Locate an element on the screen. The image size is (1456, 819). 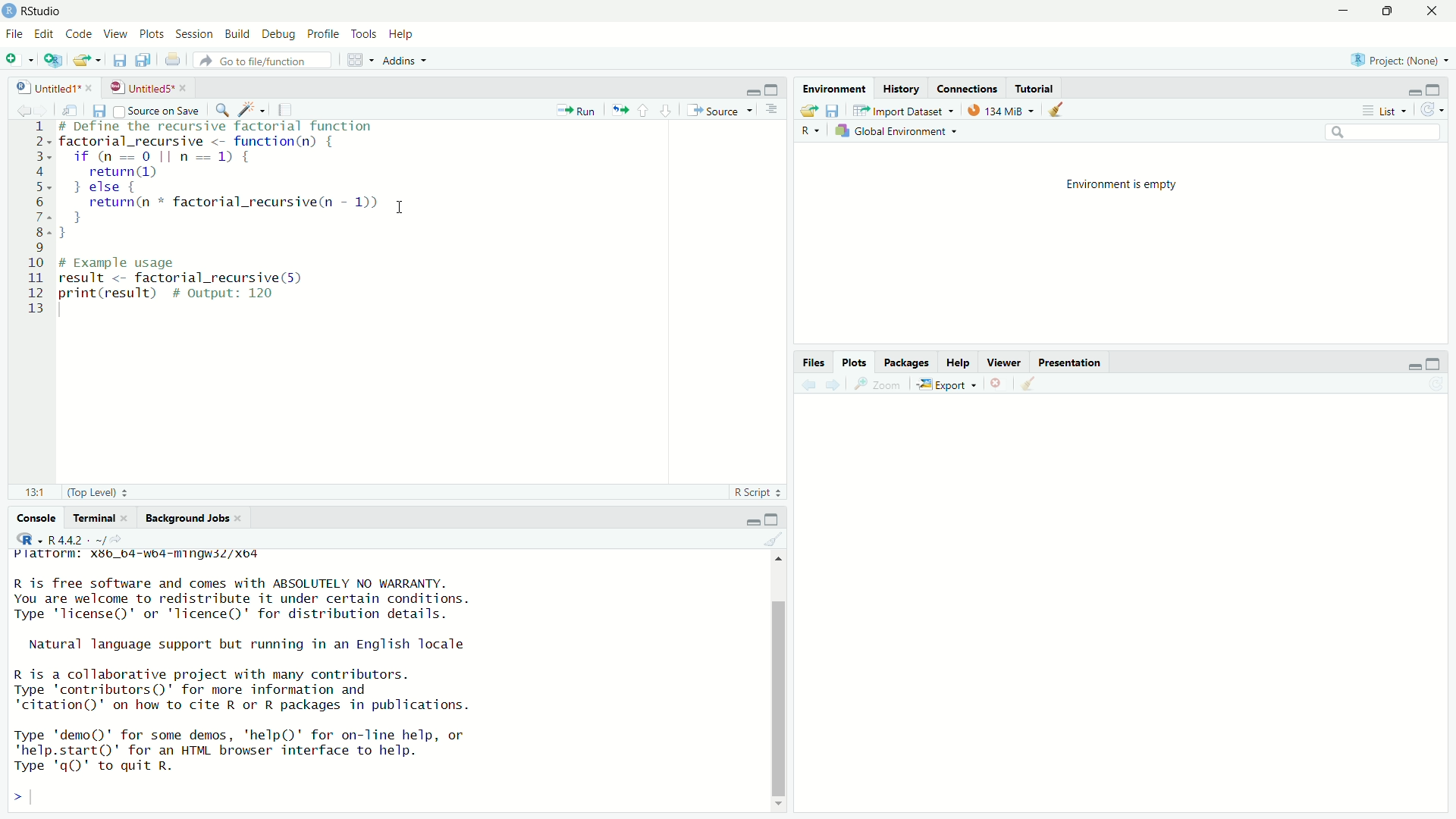
Maximize is located at coordinates (773, 520).